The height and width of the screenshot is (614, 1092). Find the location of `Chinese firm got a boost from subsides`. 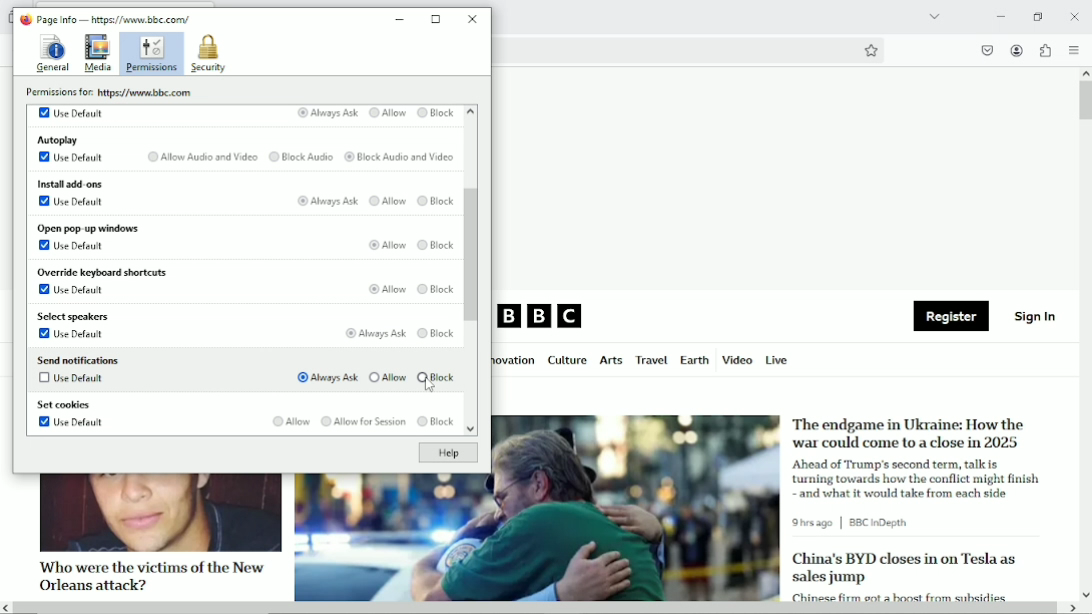

Chinese firm got a boost from subsides is located at coordinates (899, 595).